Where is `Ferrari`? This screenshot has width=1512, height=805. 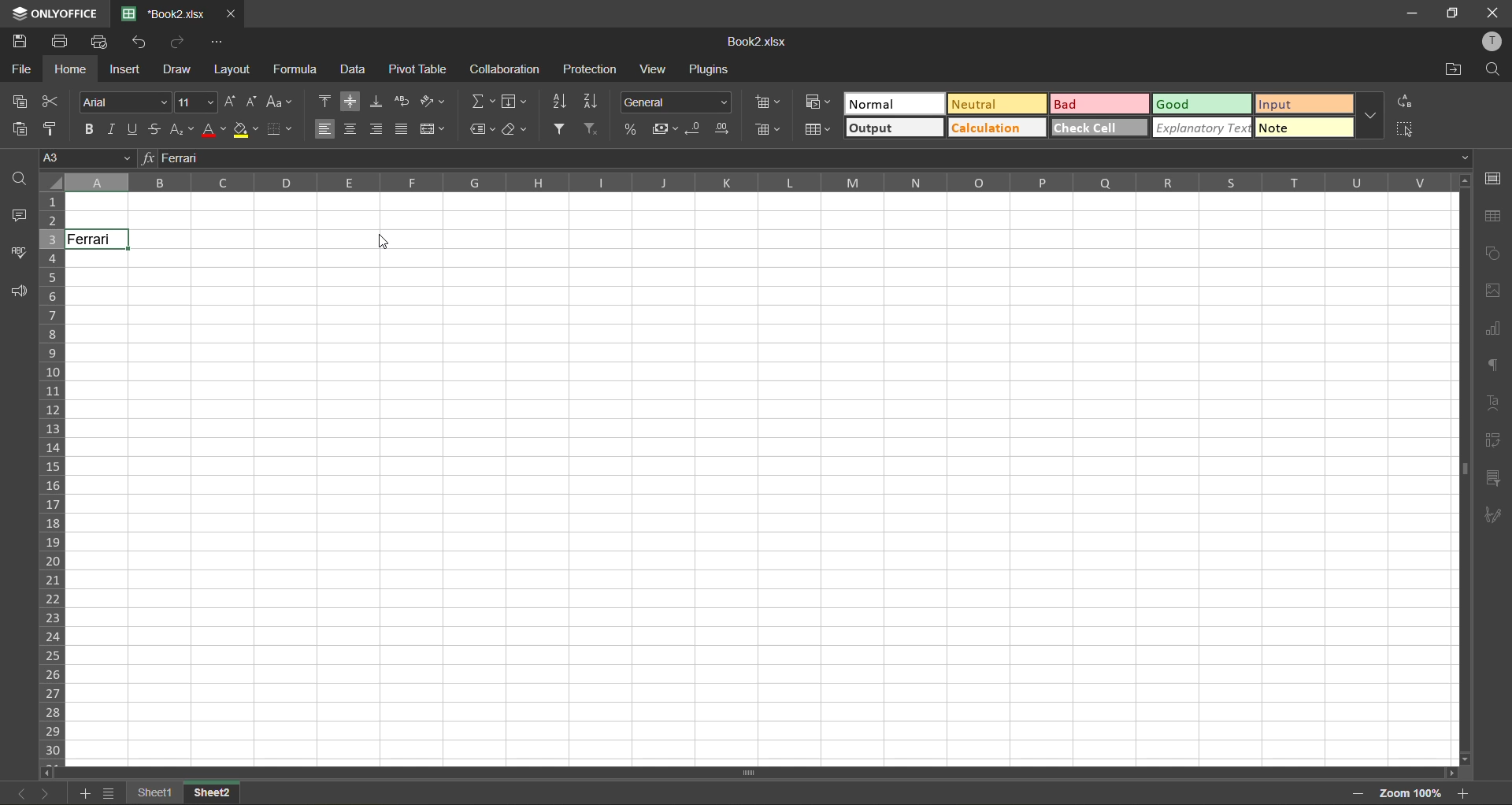 Ferrari is located at coordinates (98, 239).